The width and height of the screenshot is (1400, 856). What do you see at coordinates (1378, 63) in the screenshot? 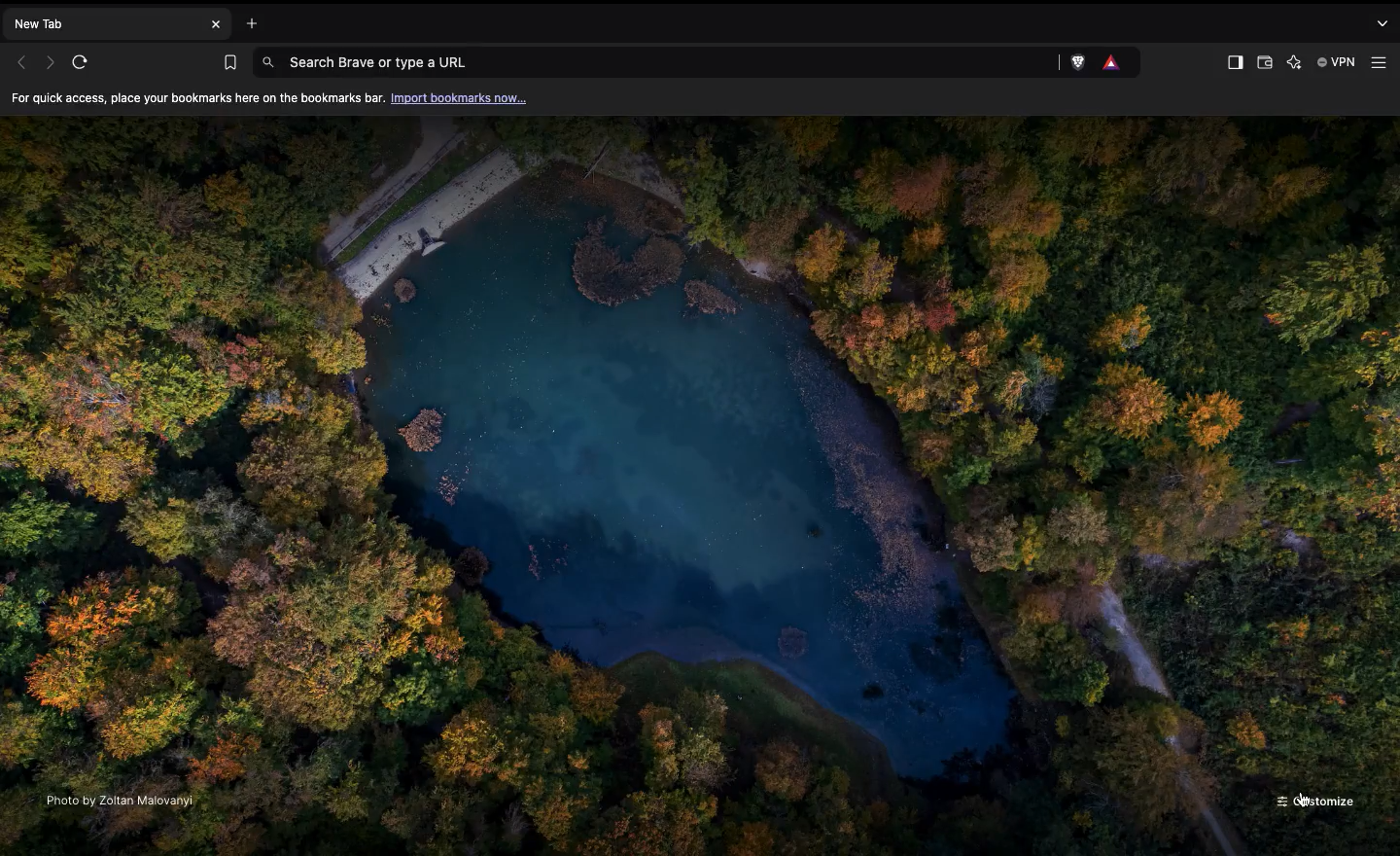
I see `Customize and control brave` at bounding box center [1378, 63].